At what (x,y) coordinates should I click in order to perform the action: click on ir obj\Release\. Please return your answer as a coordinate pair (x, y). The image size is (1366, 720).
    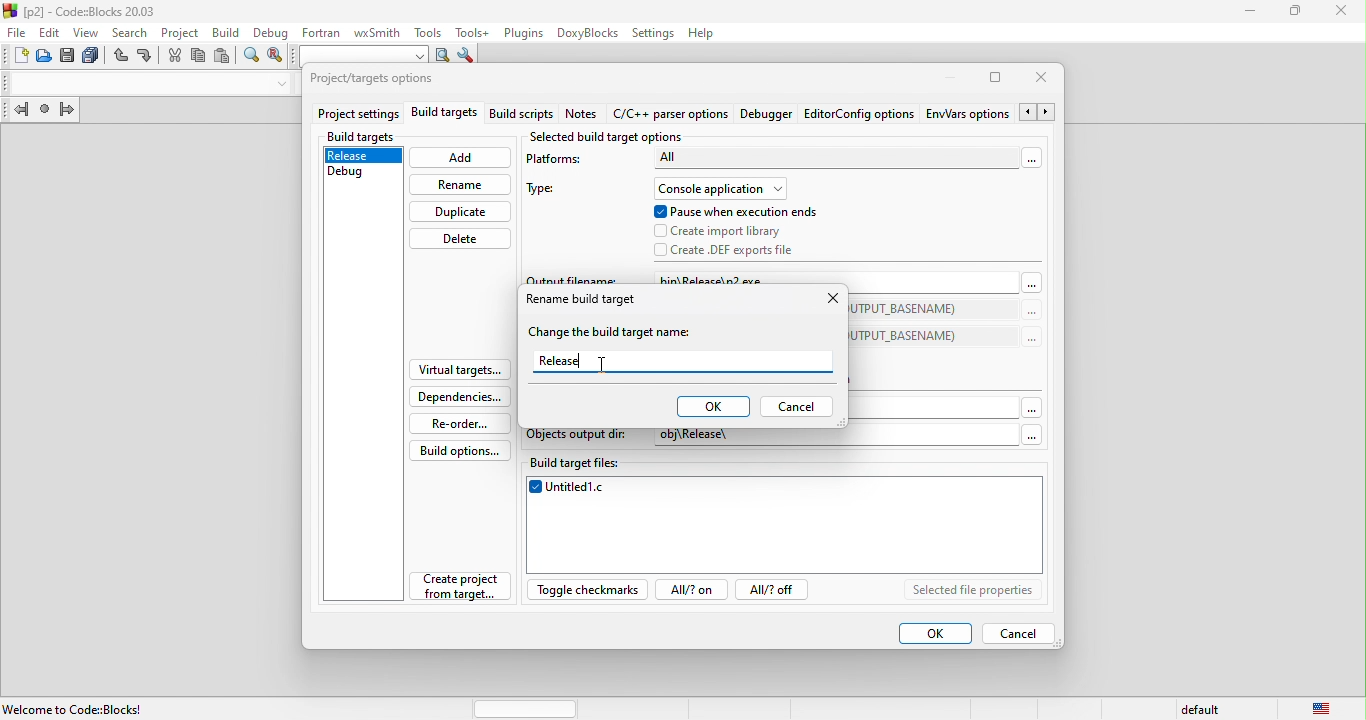
    Looking at the image, I should click on (720, 437).